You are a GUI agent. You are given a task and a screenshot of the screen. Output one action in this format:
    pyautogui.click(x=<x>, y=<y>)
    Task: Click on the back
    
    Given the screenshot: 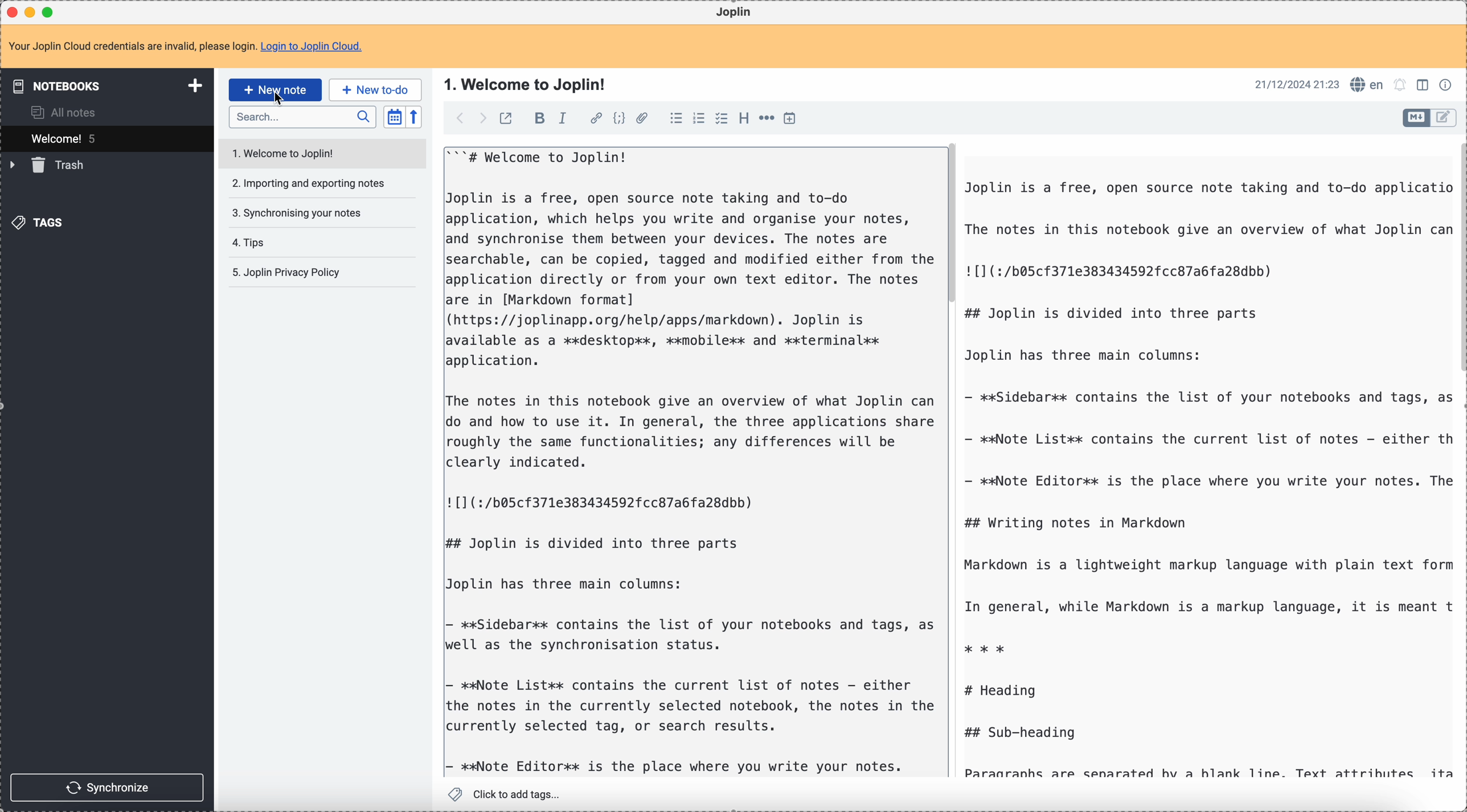 What is the action you would take?
    pyautogui.click(x=461, y=118)
    